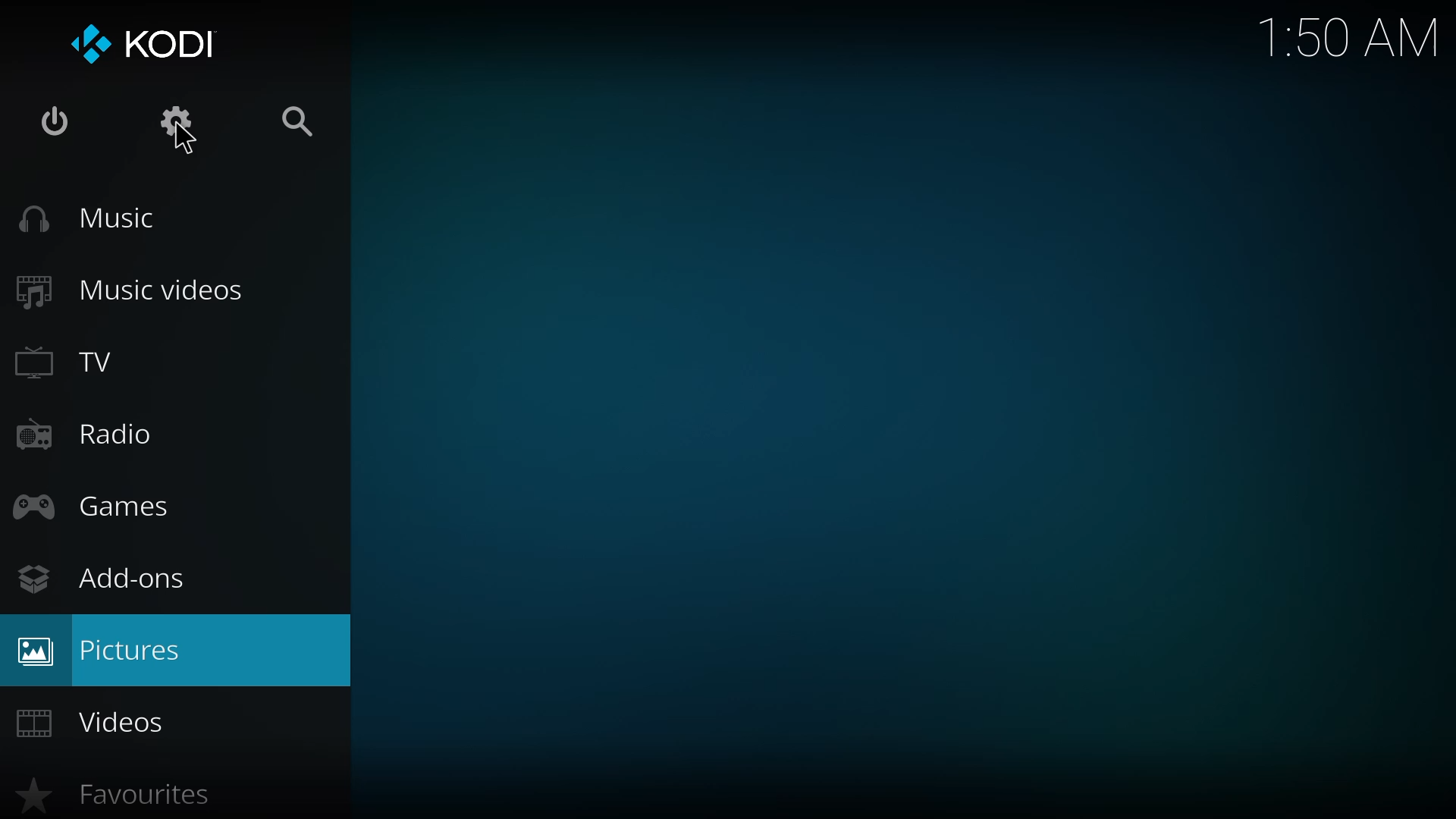 The image size is (1456, 819). What do you see at coordinates (143, 42) in the screenshot?
I see `kodi` at bounding box center [143, 42].